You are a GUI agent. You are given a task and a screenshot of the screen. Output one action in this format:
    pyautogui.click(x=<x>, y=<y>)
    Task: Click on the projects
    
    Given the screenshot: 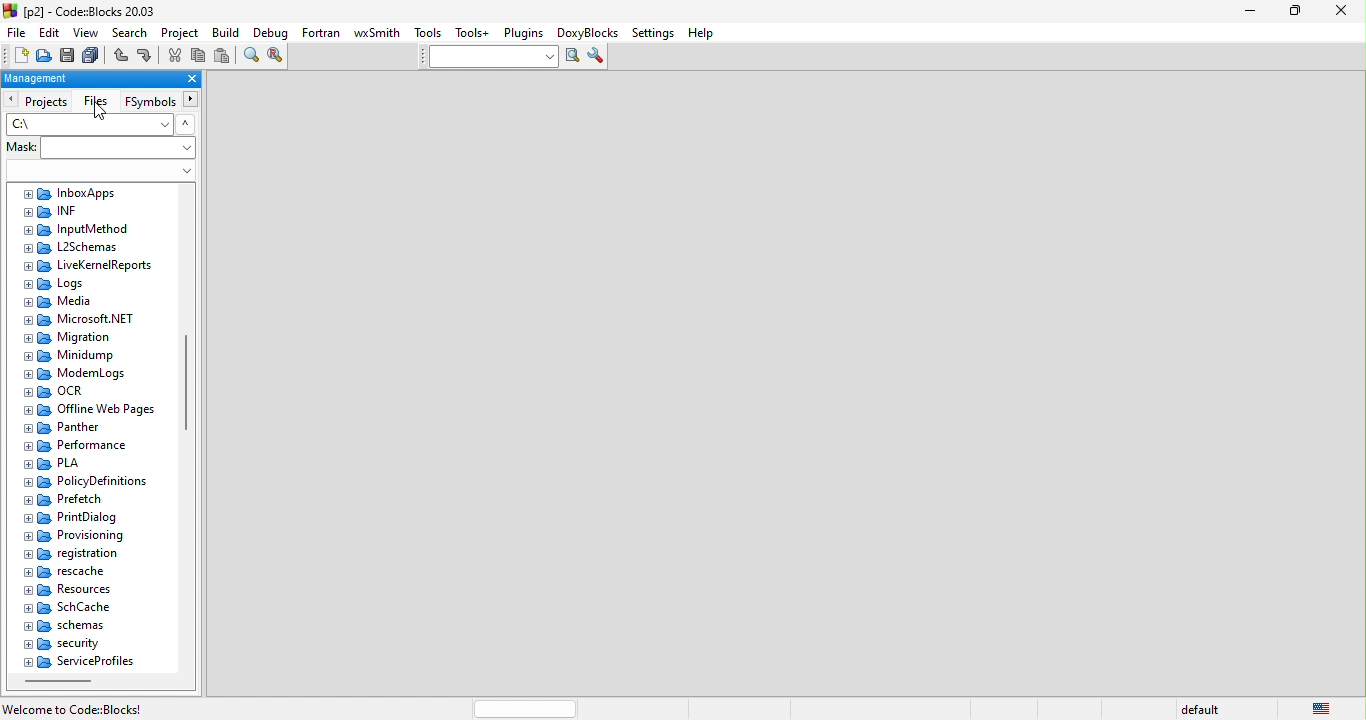 What is the action you would take?
    pyautogui.click(x=35, y=98)
    